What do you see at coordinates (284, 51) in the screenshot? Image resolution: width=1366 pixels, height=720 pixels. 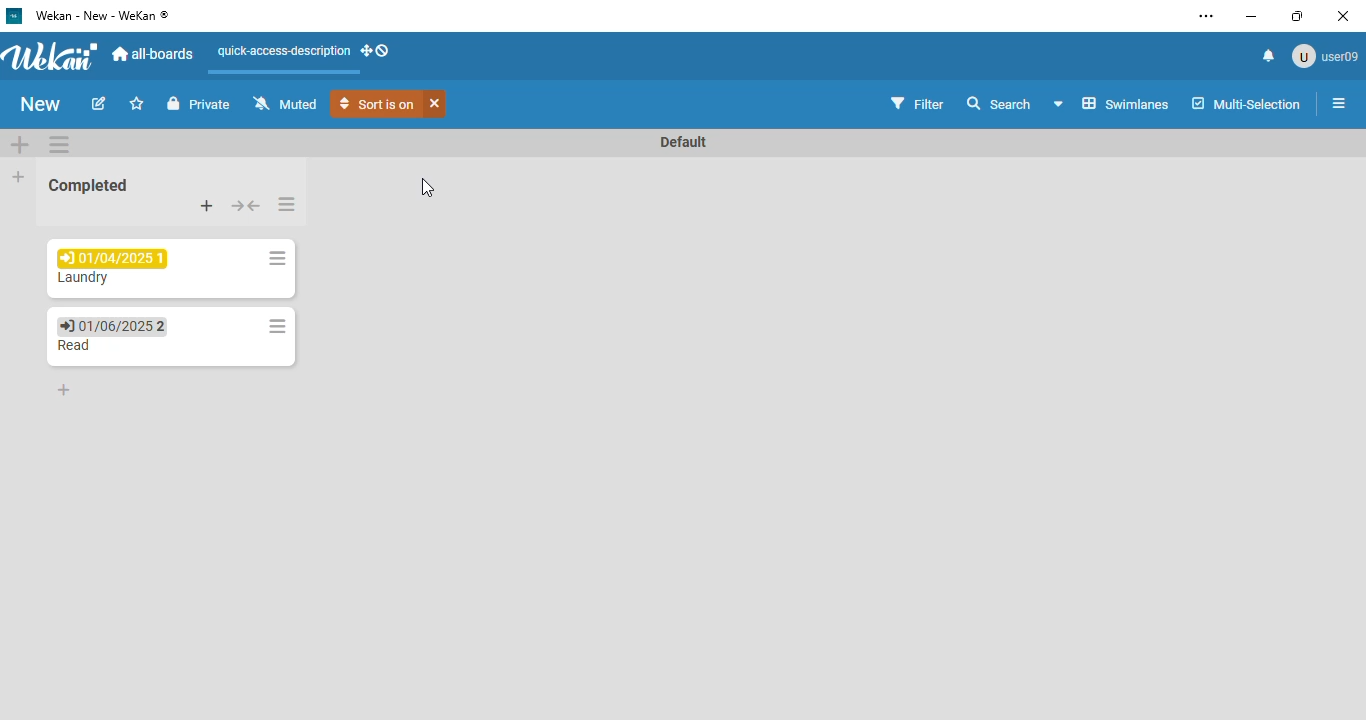 I see `quick-access-description` at bounding box center [284, 51].